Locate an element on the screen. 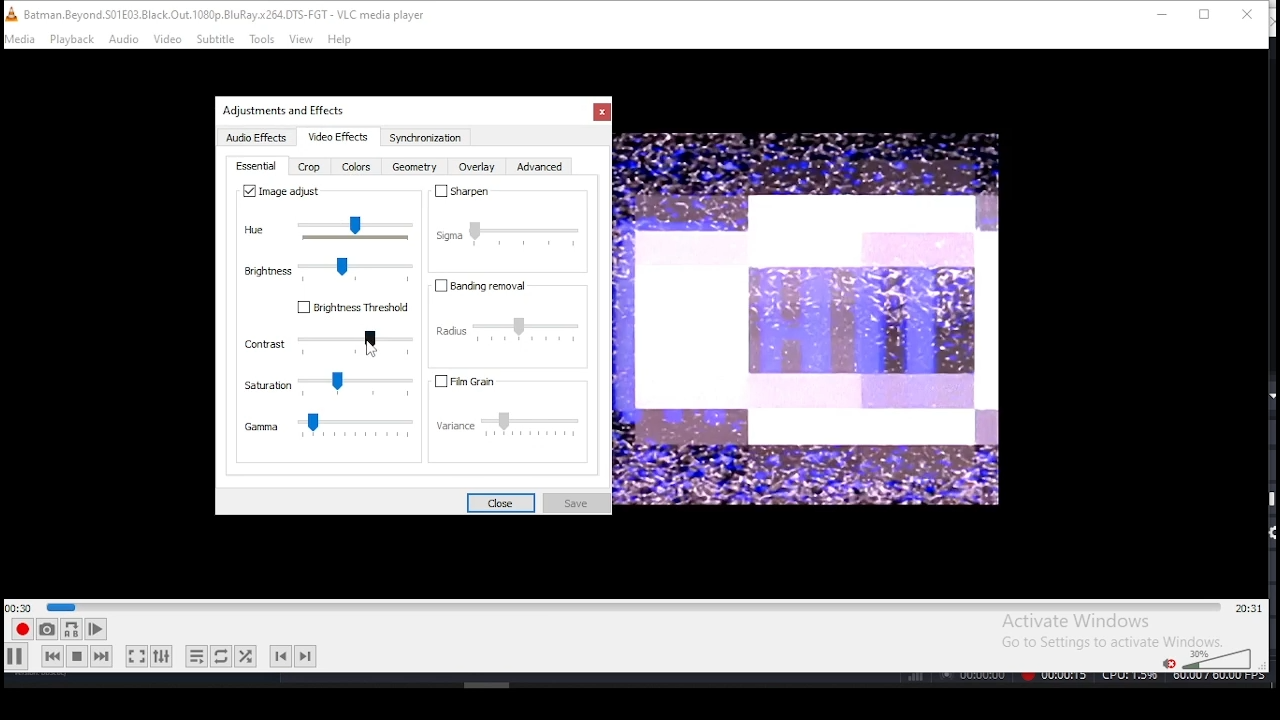  save is located at coordinates (574, 502).